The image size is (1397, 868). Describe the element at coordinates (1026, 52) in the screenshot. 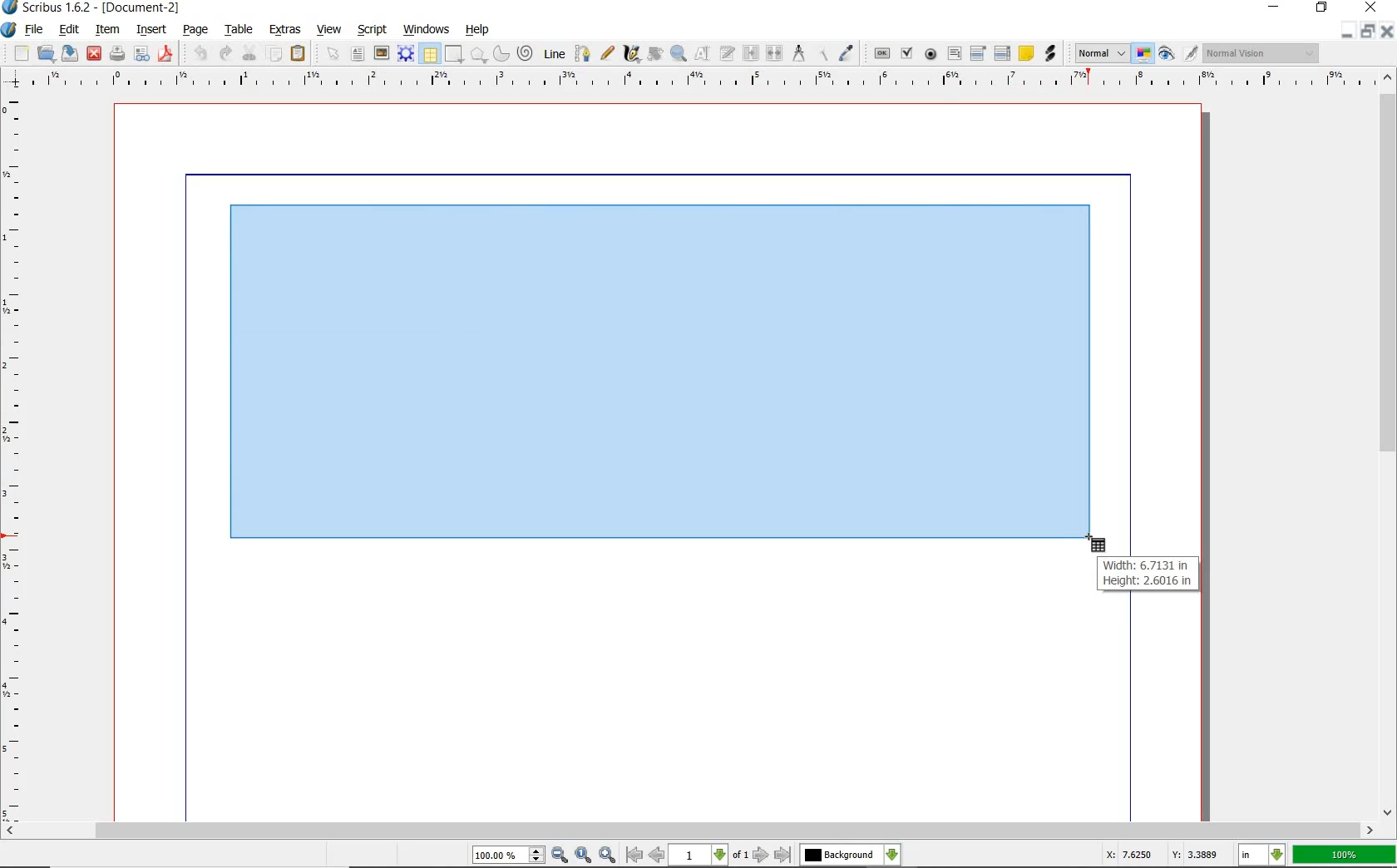

I see `text annotation` at that location.